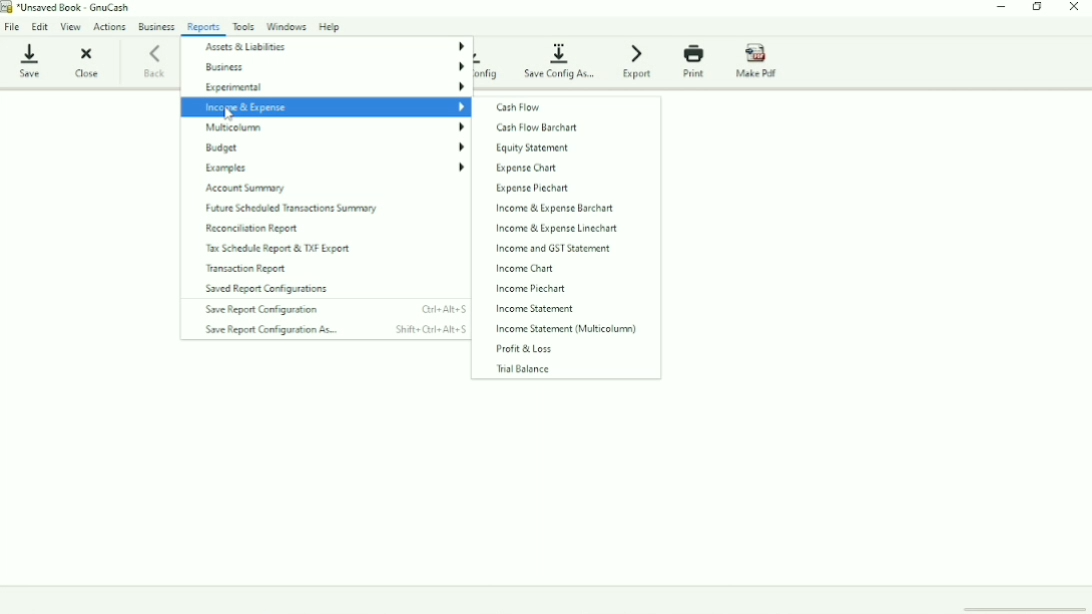 Image resolution: width=1092 pixels, height=614 pixels. What do you see at coordinates (250, 189) in the screenshot?
I see `Account Summary` at bounding box center [250, 189].